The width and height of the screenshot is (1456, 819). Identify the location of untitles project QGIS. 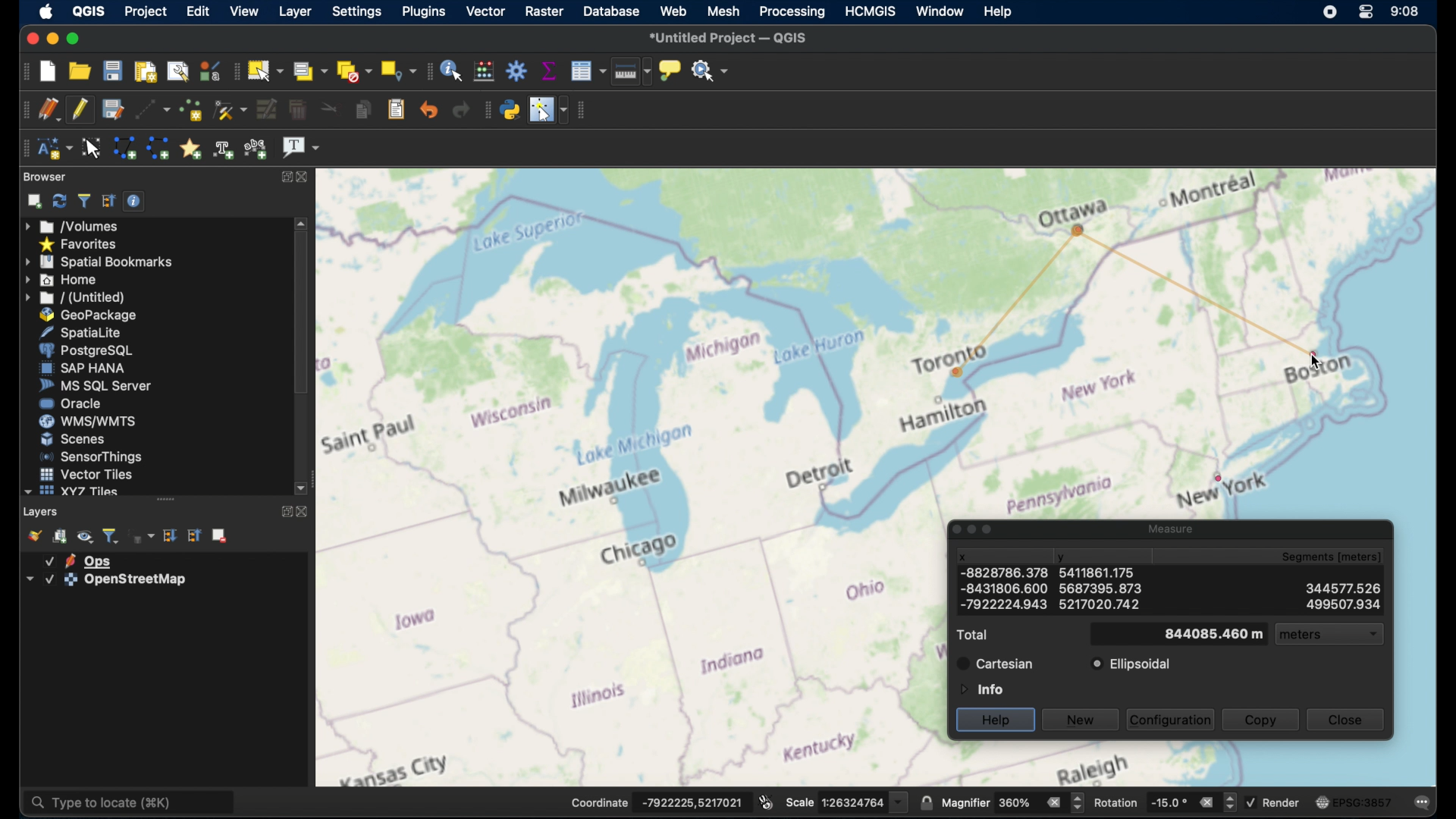
(731, 39).